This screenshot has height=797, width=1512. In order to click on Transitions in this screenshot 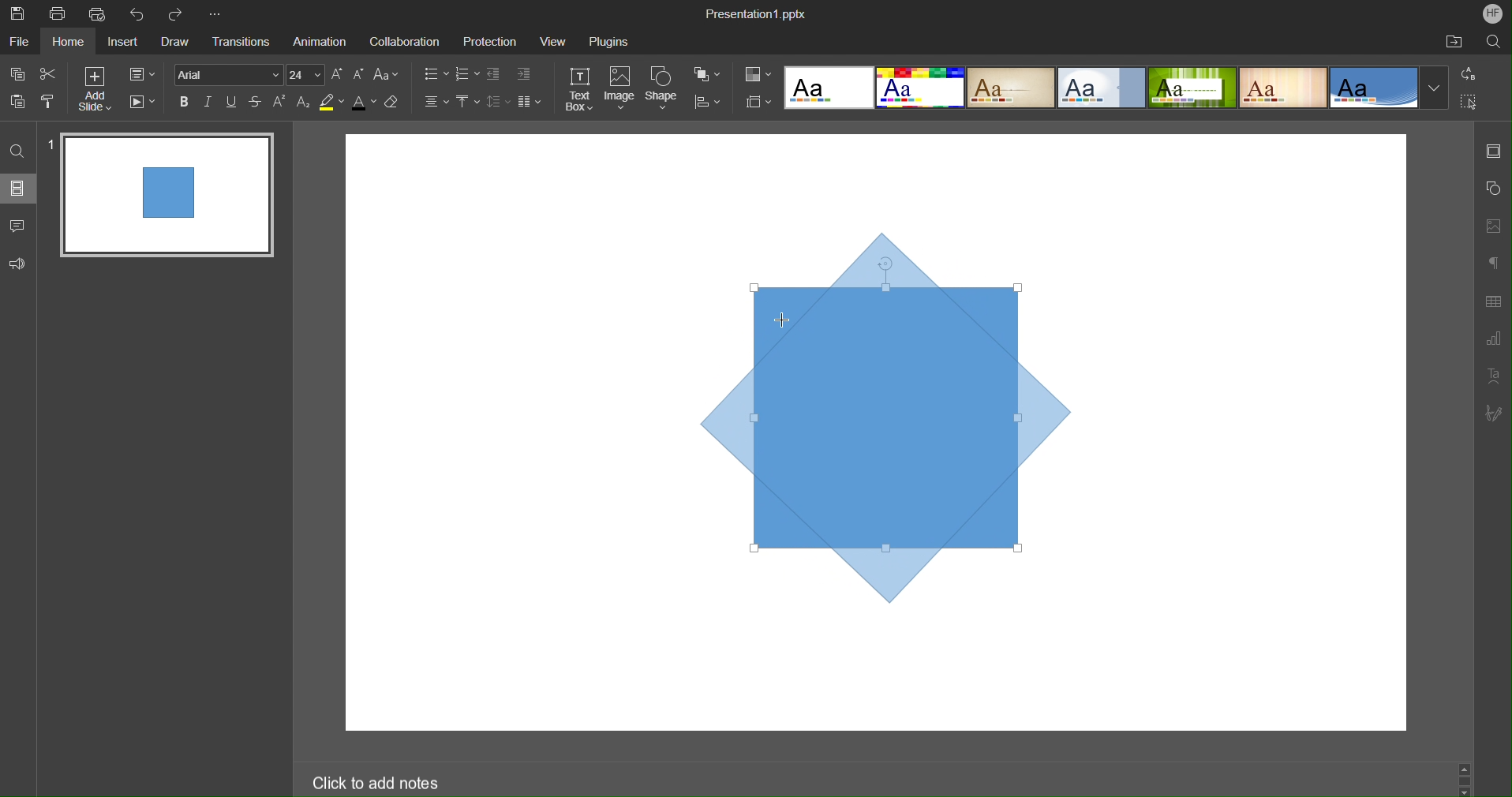, I will do `click(238, 40)`.